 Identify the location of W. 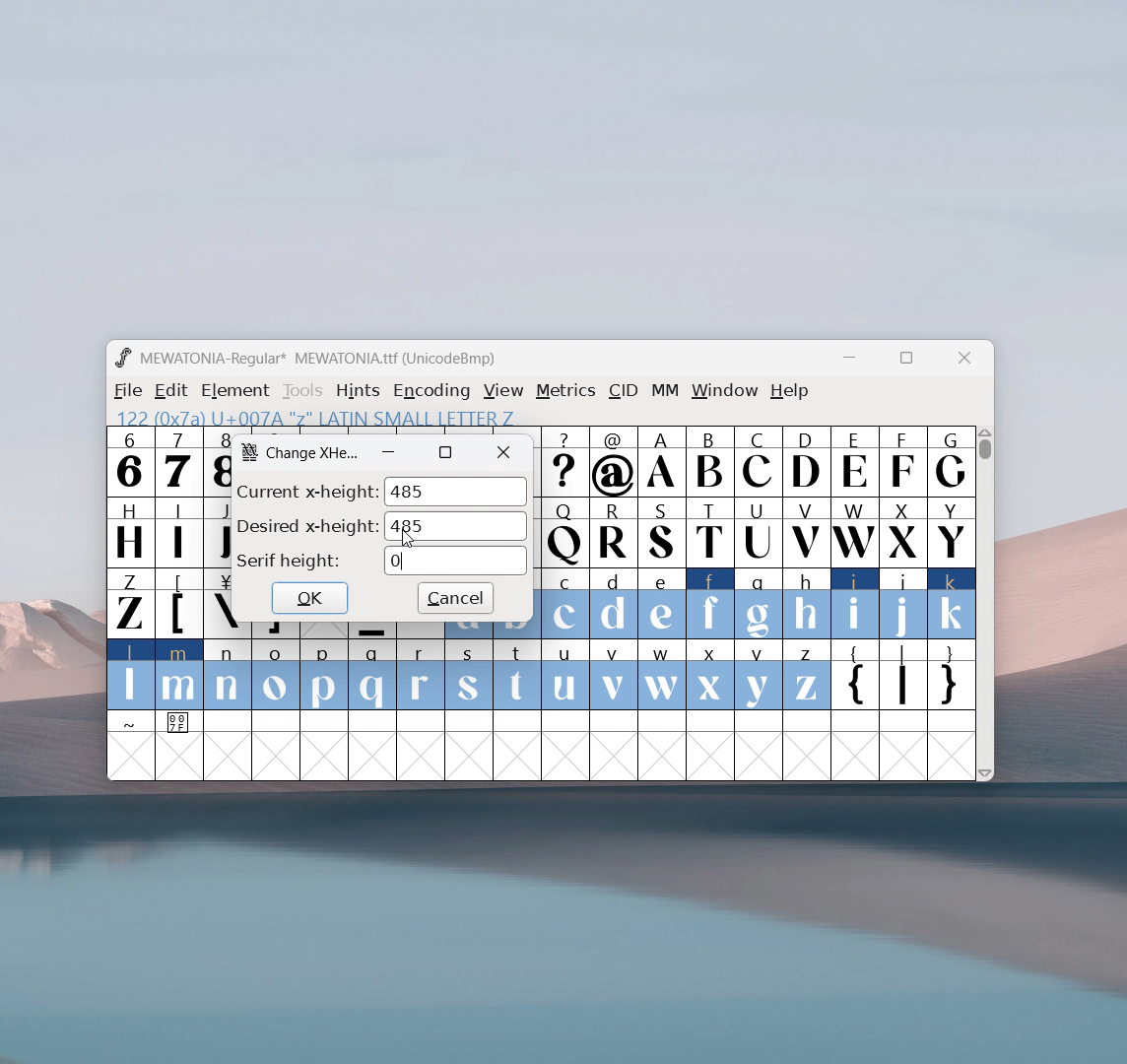
(853, 532).